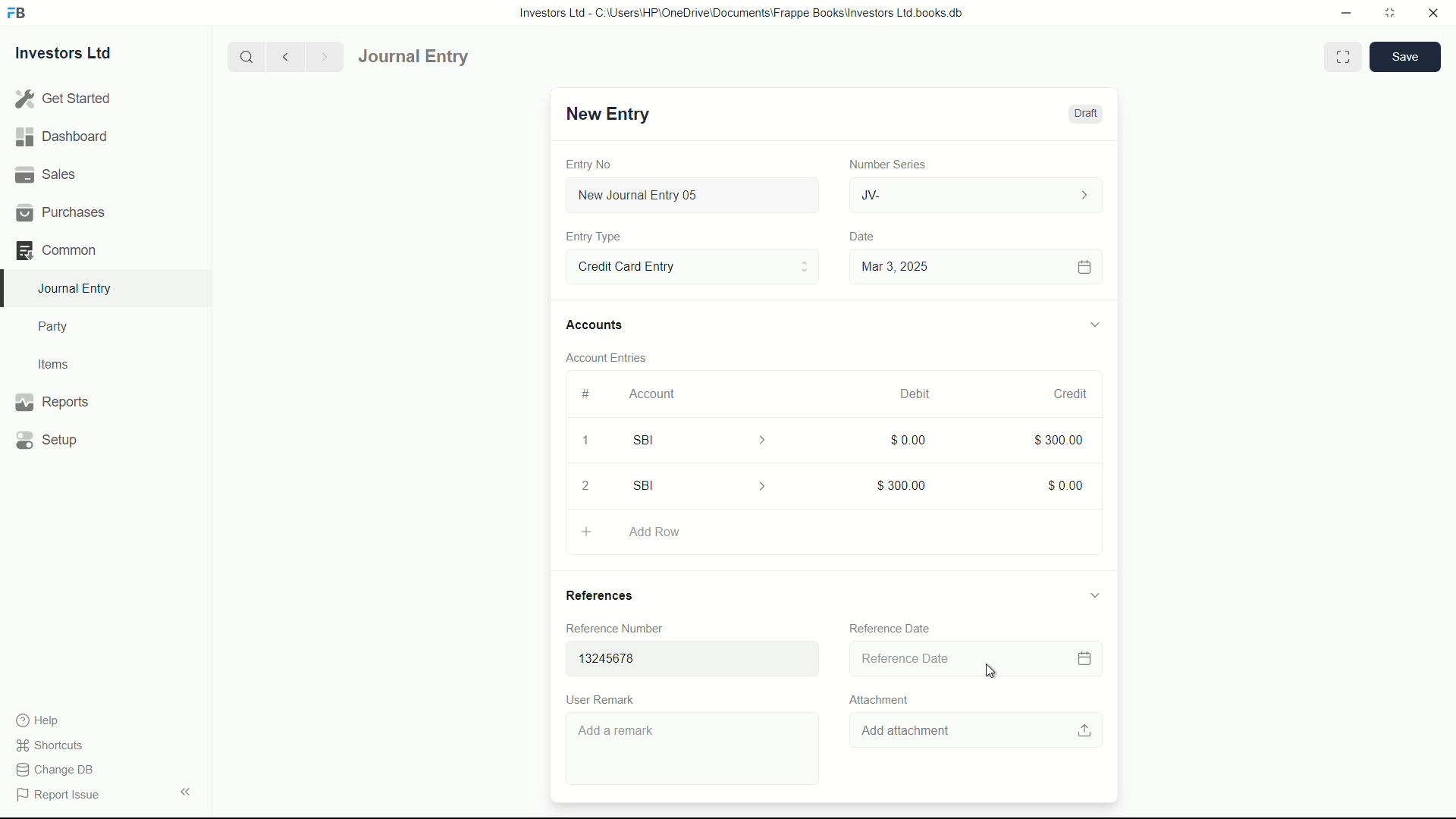  Describe the element at coordinates (993, 672) in the screenshot. I see `cursor` at that location.